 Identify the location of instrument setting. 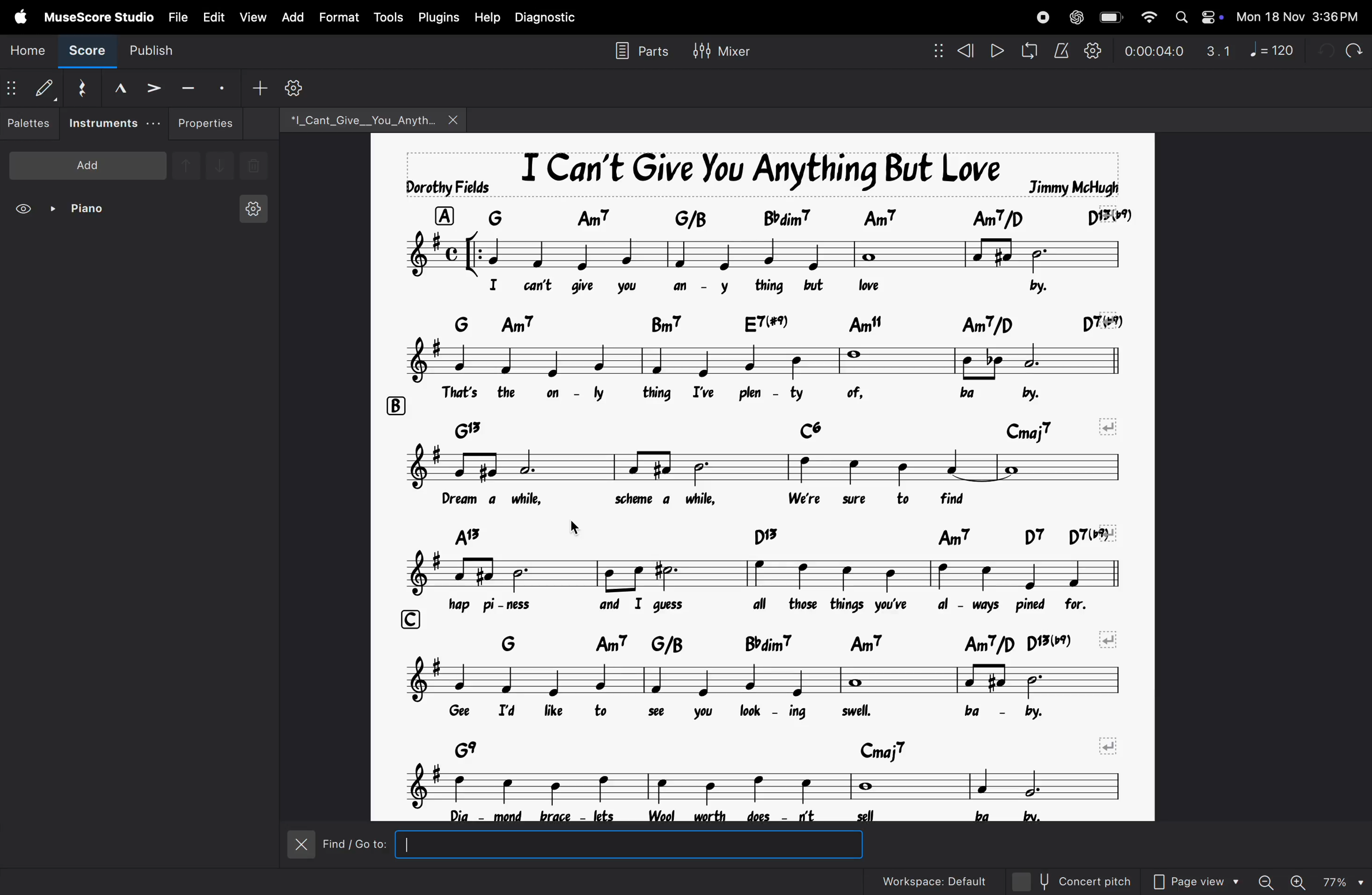
(252, 210).